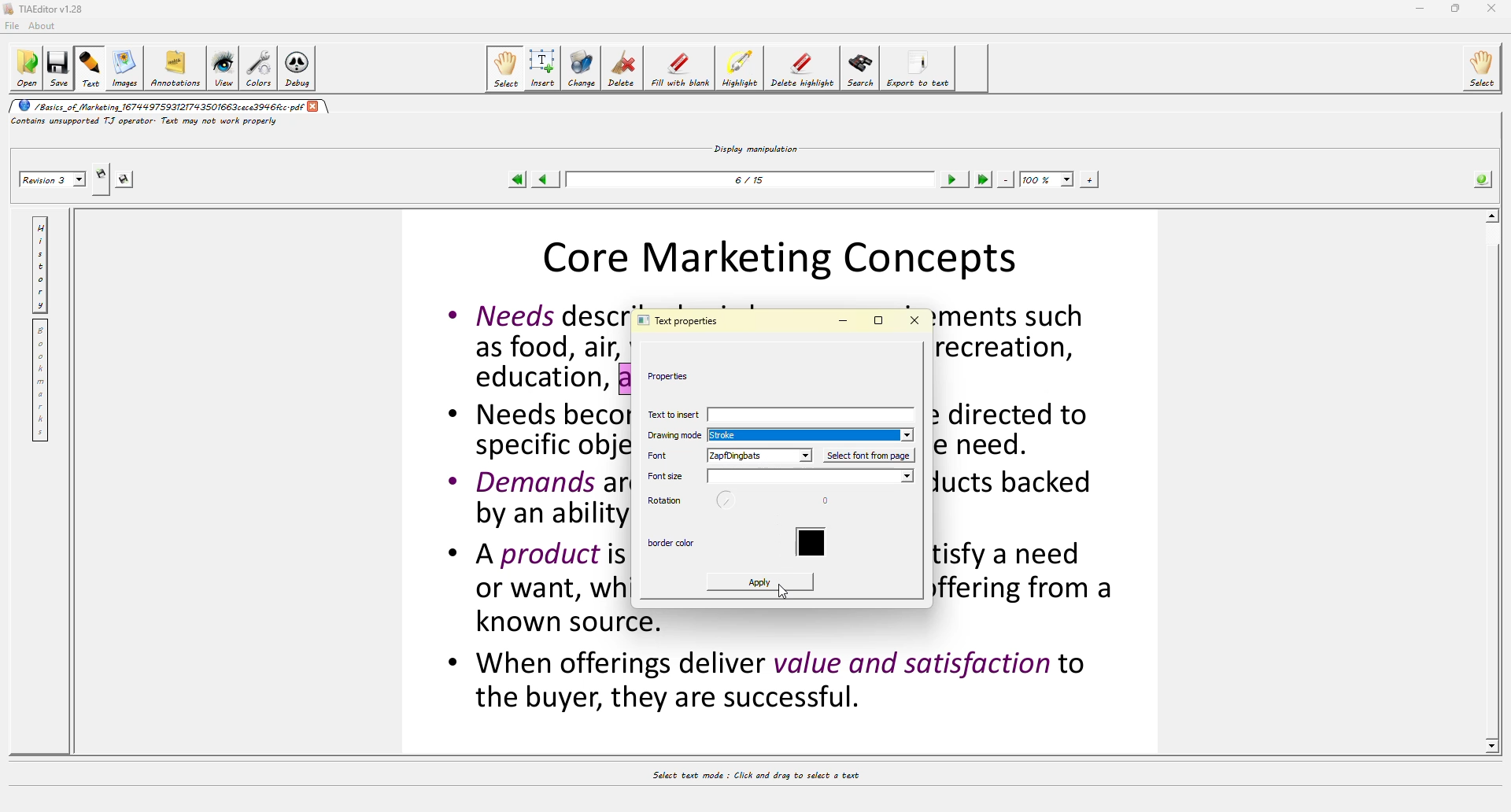 Image resolution: width=1511 pixels, height=812 pixels. Describe the element at coordinates (157, 105) in the screenshot. I see `/basics_of_marketing_1674497593121743501663cece3946fcc.pdf` at that location.